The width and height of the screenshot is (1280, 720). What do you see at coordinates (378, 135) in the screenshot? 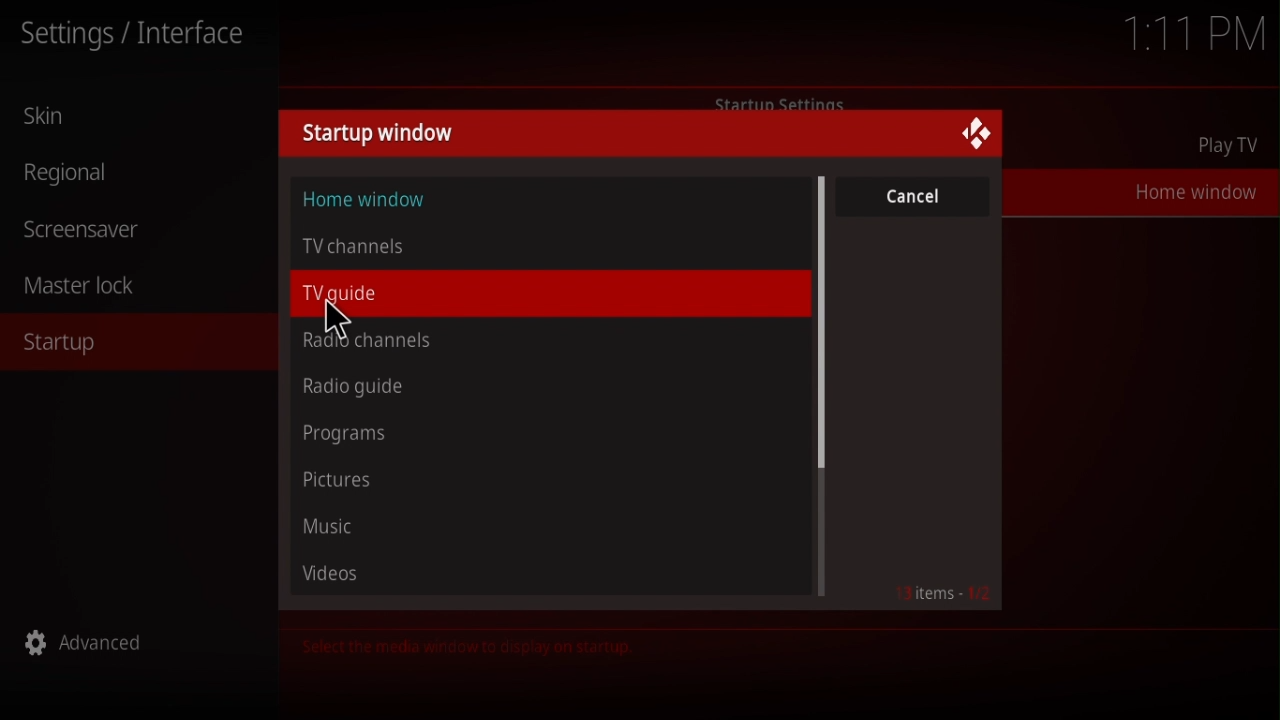
I see `Startup window` at bounding box center [378, 135].